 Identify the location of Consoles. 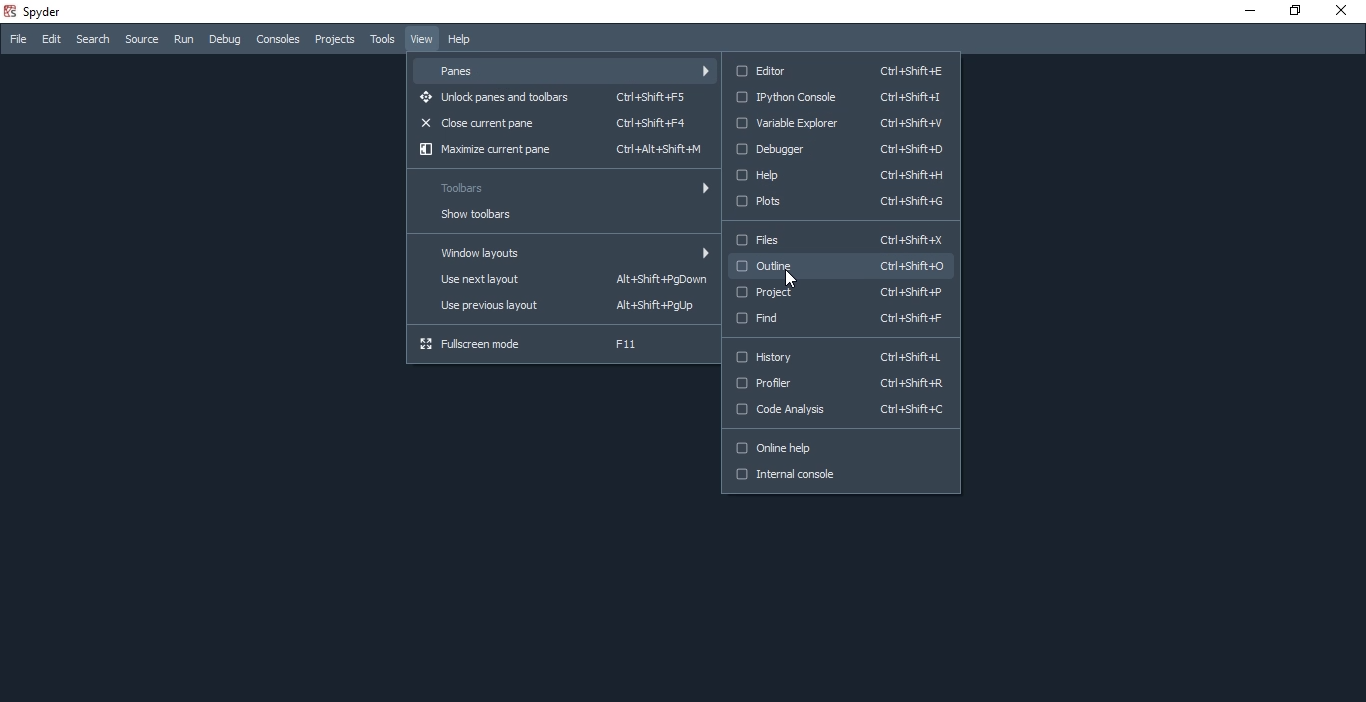
(277, 39).